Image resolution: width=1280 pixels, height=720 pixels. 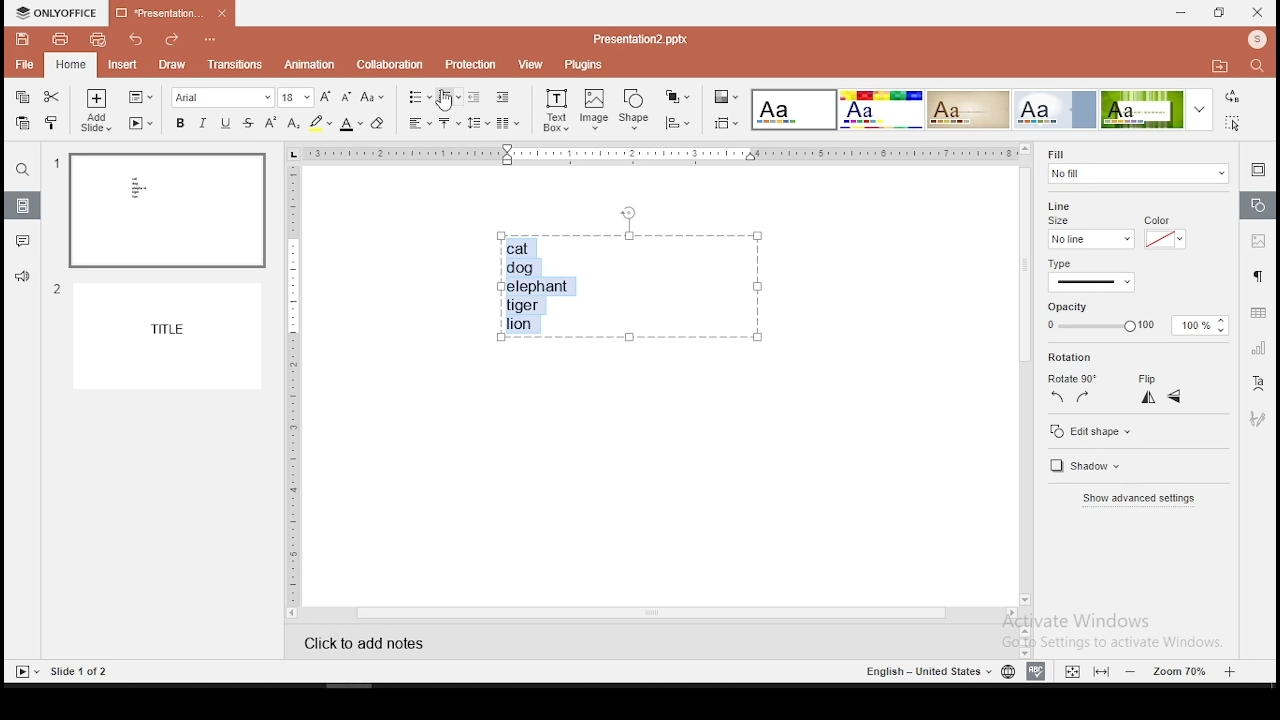 I want to click on start slideshow, so click(x=141, y=122).